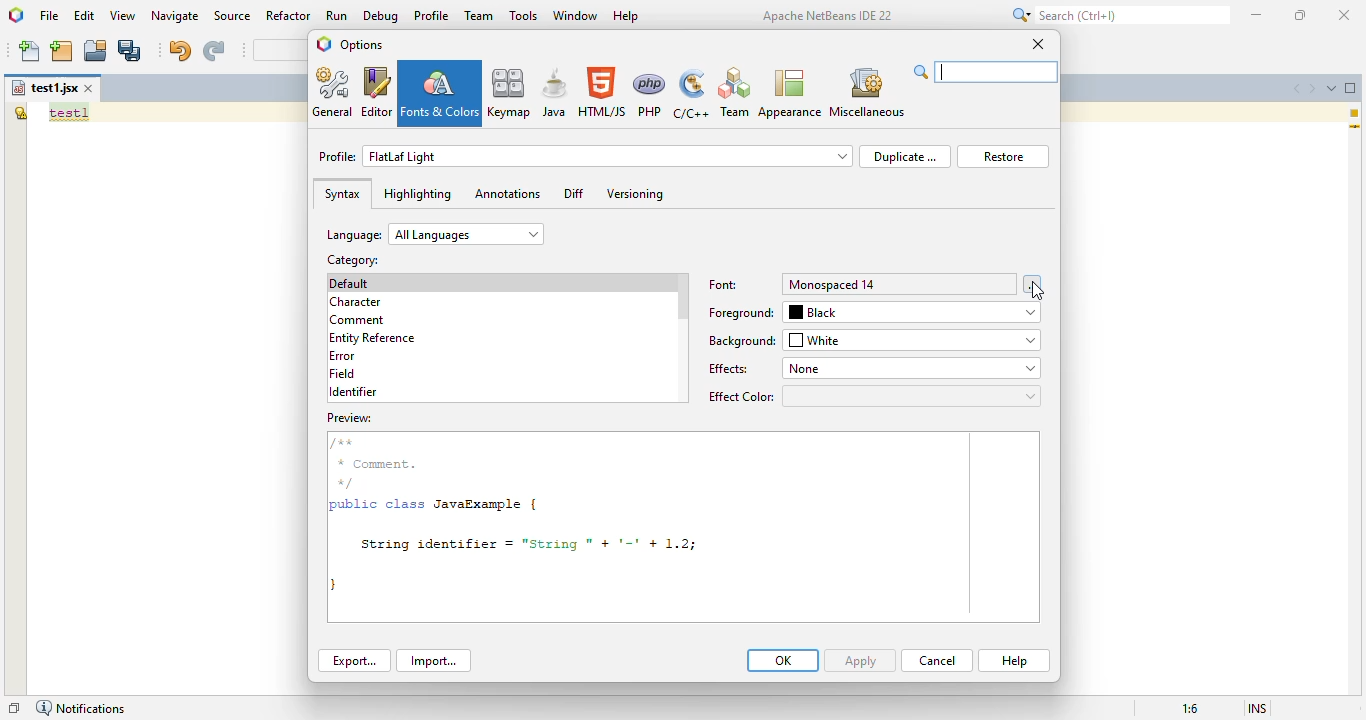  I want to click on * Comment., so click(382, 465).